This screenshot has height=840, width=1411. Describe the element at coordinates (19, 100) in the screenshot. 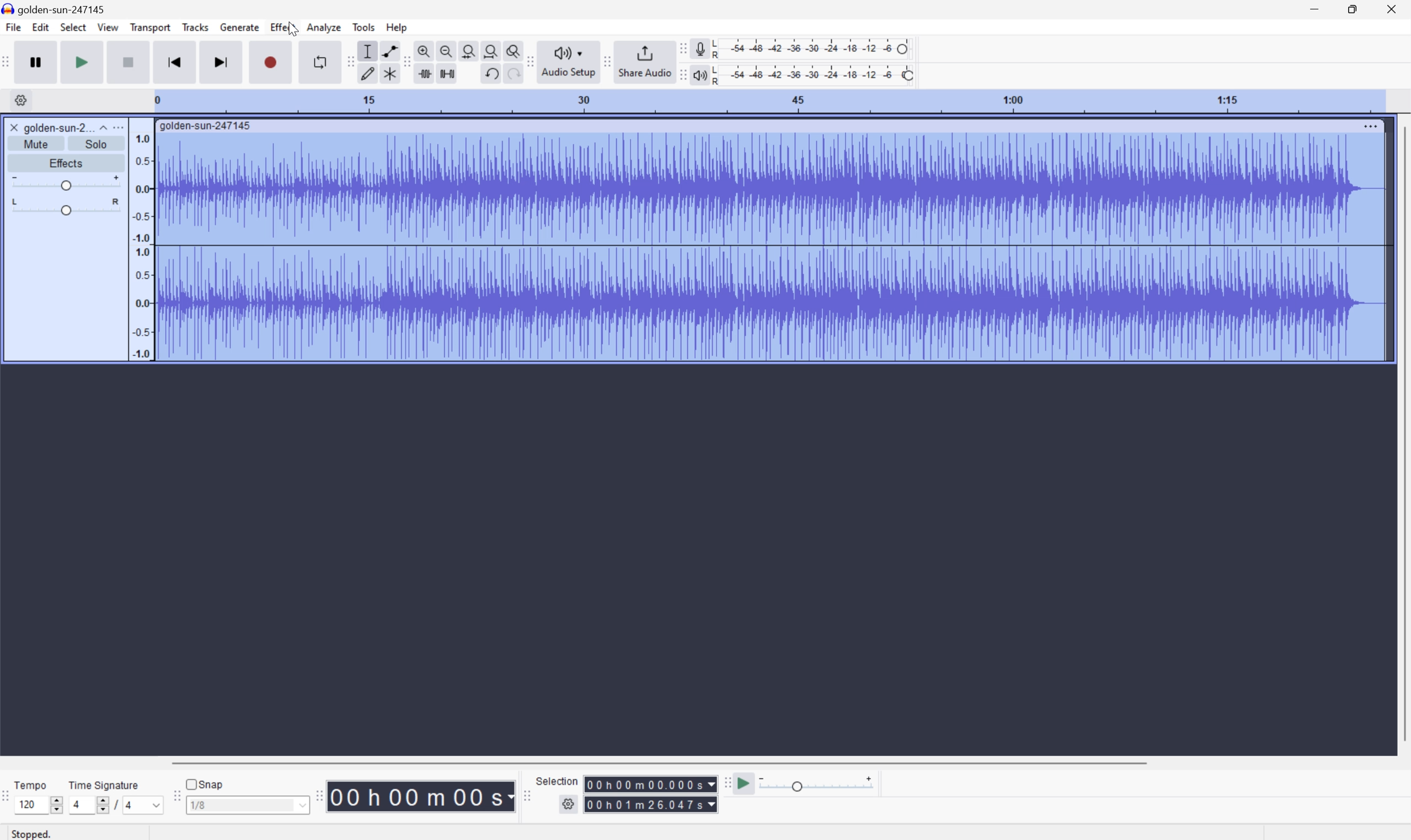

I see `Settings` at that location.